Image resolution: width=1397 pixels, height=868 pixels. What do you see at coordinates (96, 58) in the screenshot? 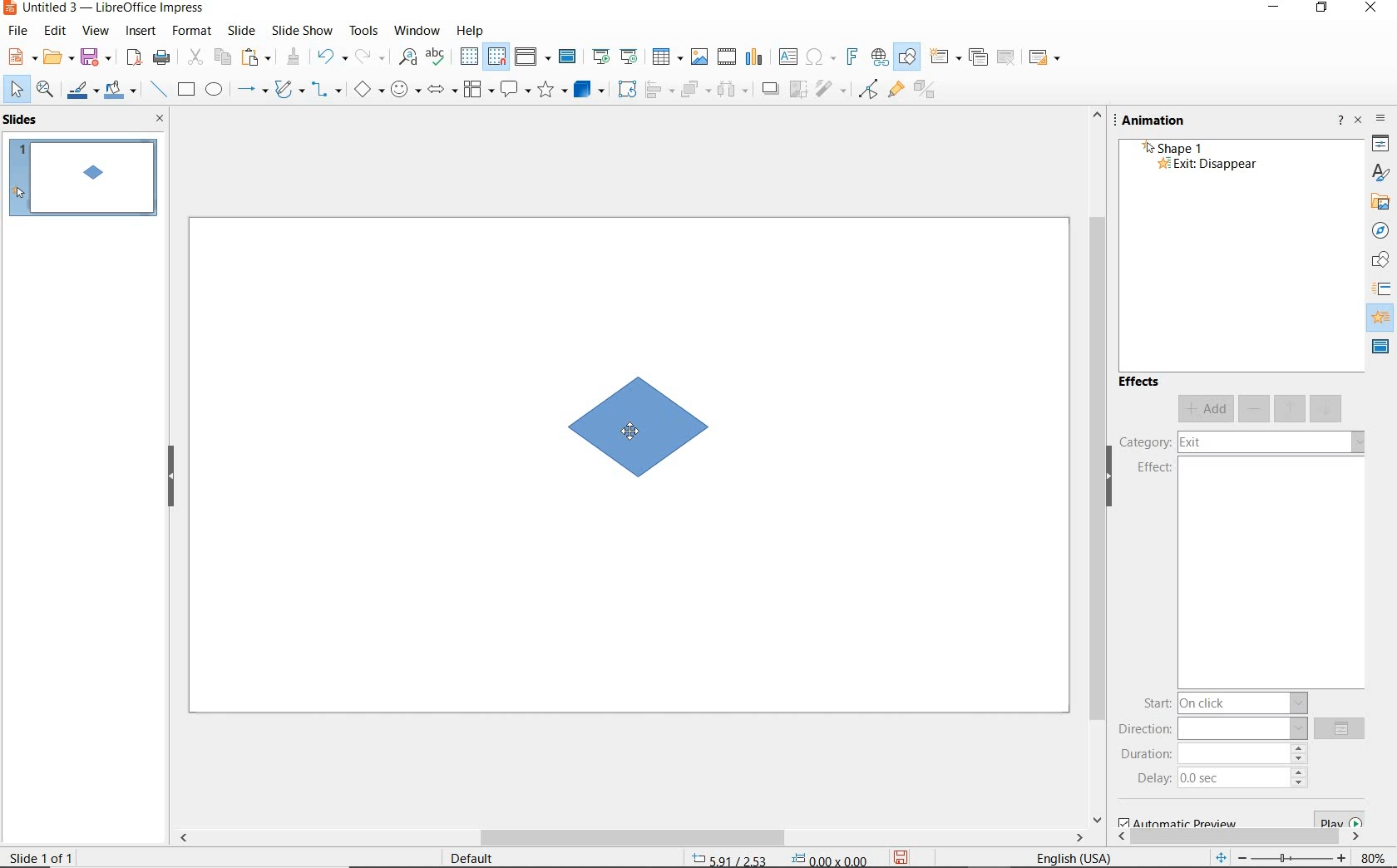
I see `save` at bounding box center [96, 58].